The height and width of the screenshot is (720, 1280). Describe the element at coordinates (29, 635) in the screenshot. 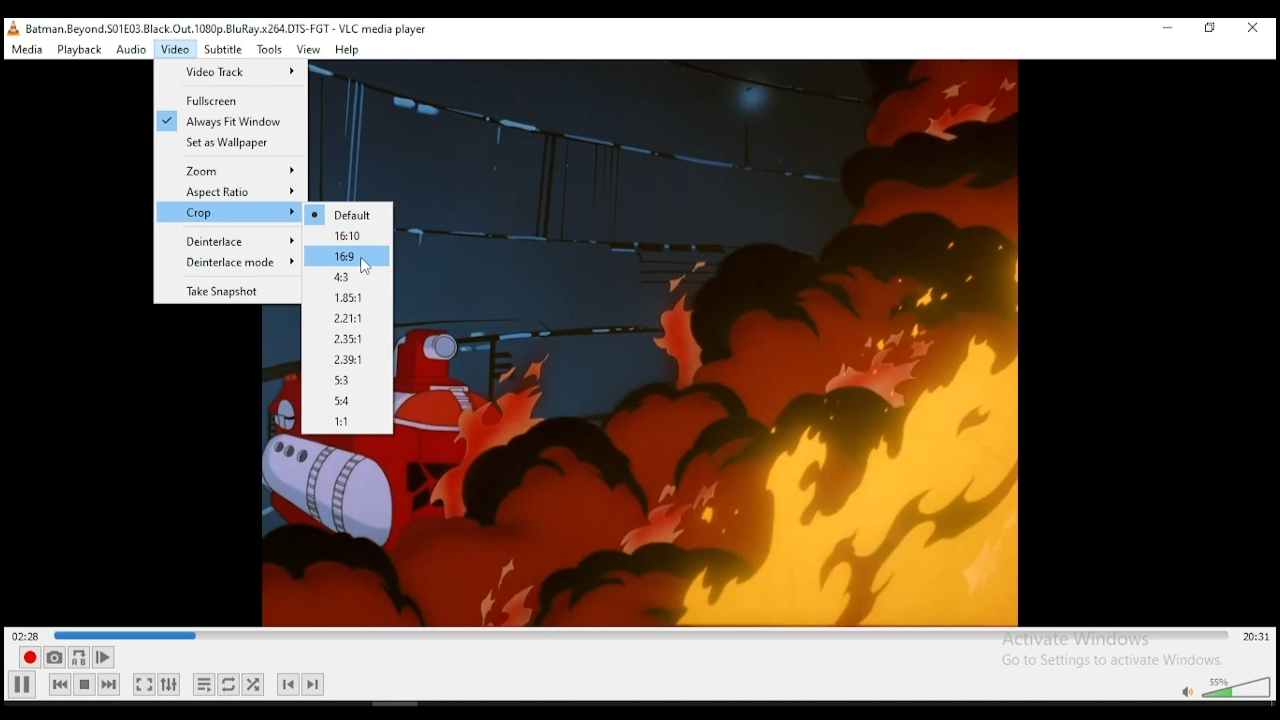

I see `elapsed time 02:!4` at that location.